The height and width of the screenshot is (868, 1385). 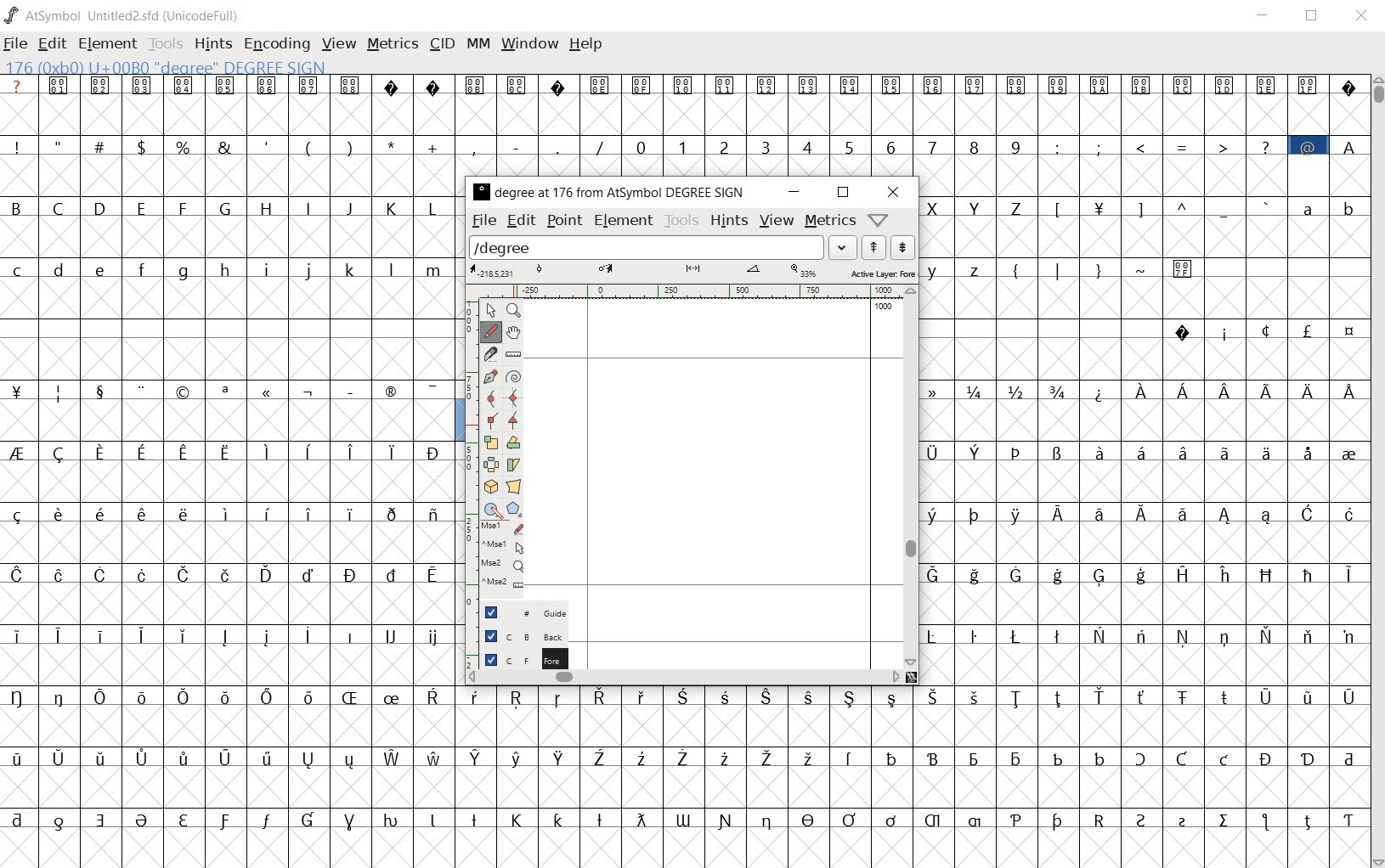 I want to click on magnify, so click(x=512, y=310).